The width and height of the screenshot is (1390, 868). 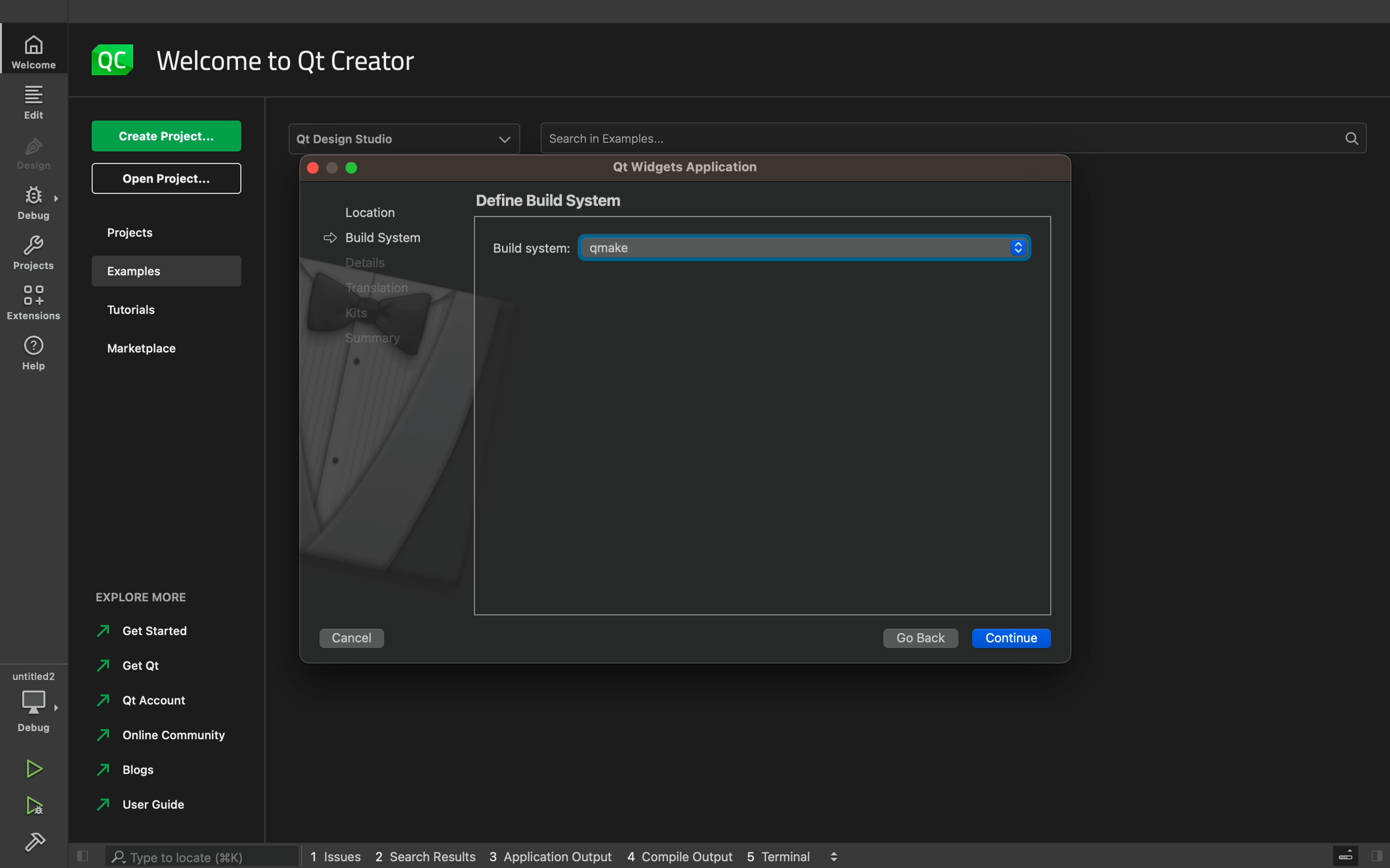 What do you see at coordinates (370, 237) in the screenshot?
I see `` at bounding box center [370, 237].